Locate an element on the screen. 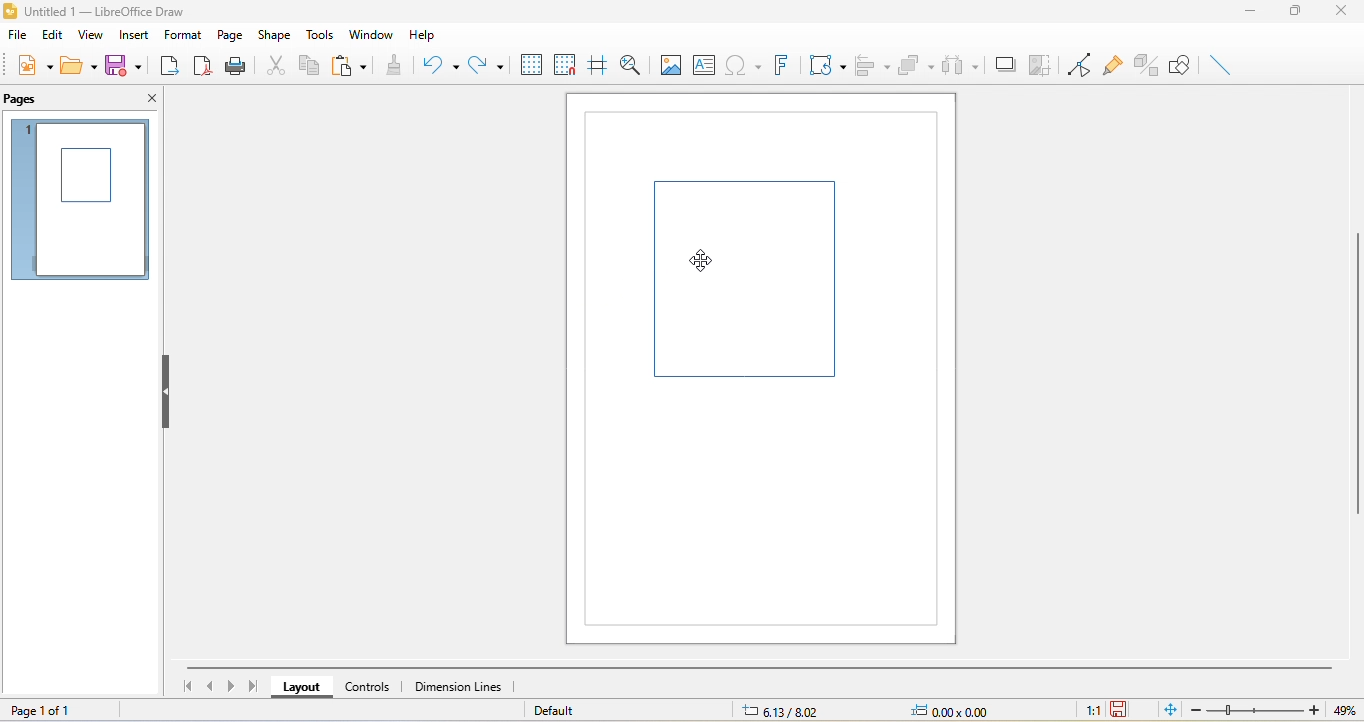 This screenshot has height=722, width=1364. 1:1 is located at coordinates (1091, 711).